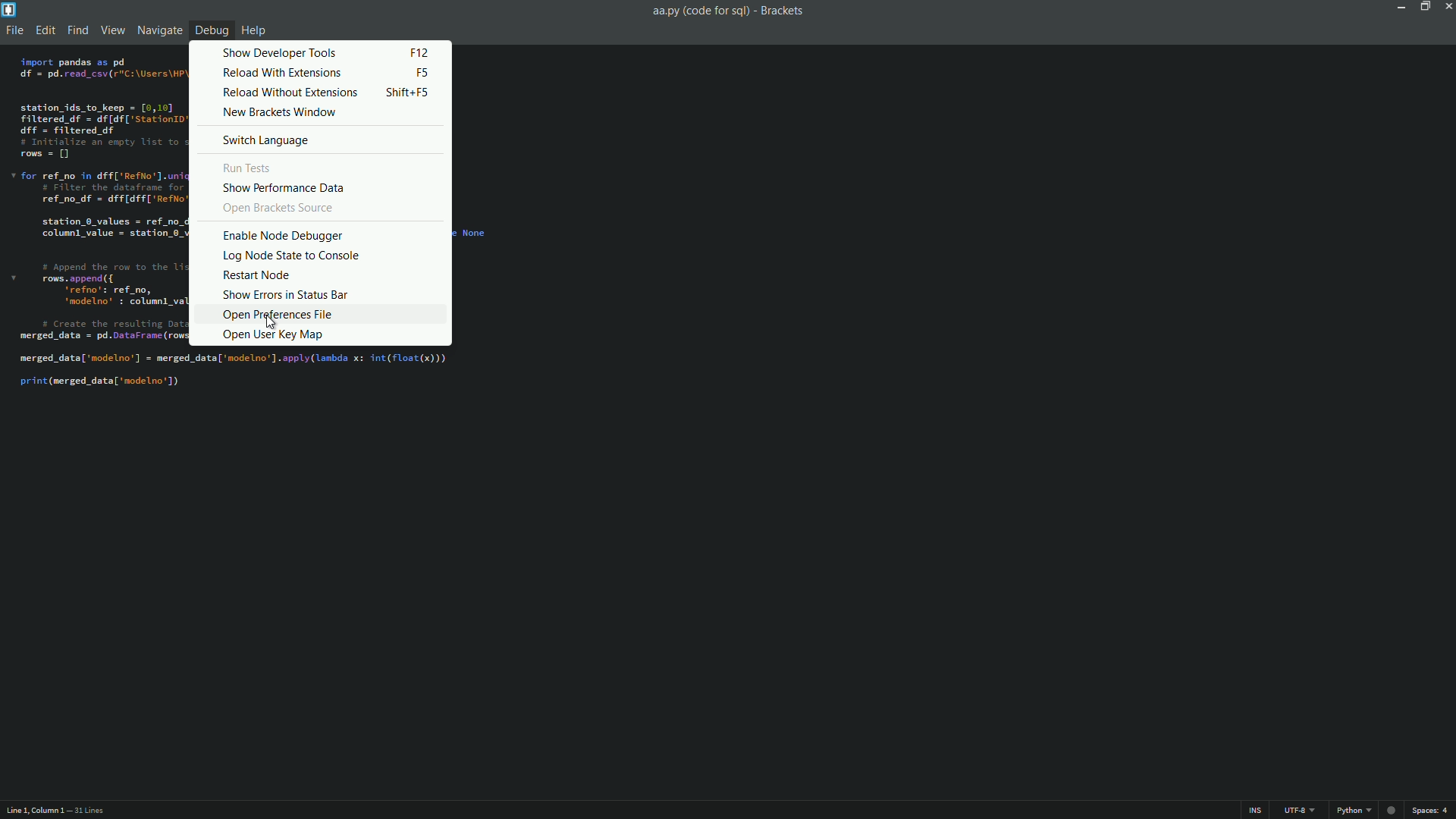 The image size is (1456, 819). What do you see at coordinates (268, 323) in the screenshot?
I see `cursor` at bounding box center [268, 323].